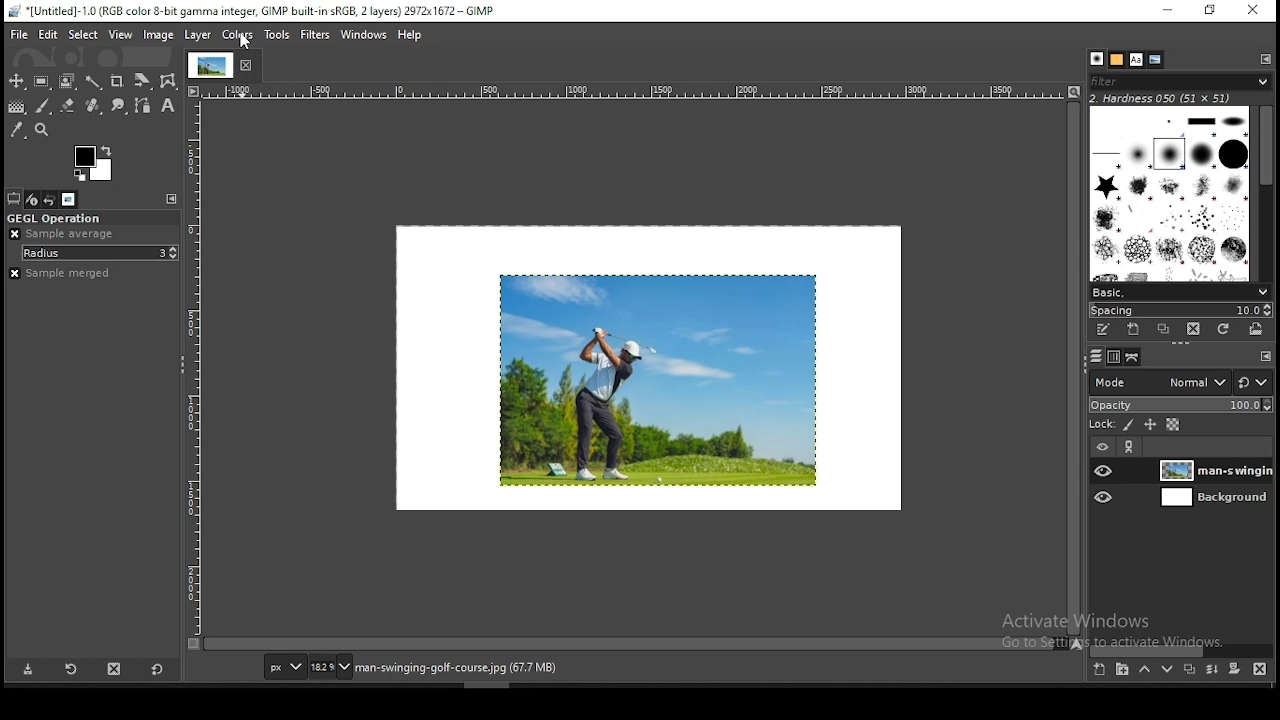 The height and width of the screenshot is (720, 1280). I want to click on duplicate brush, so click(1164, 330).